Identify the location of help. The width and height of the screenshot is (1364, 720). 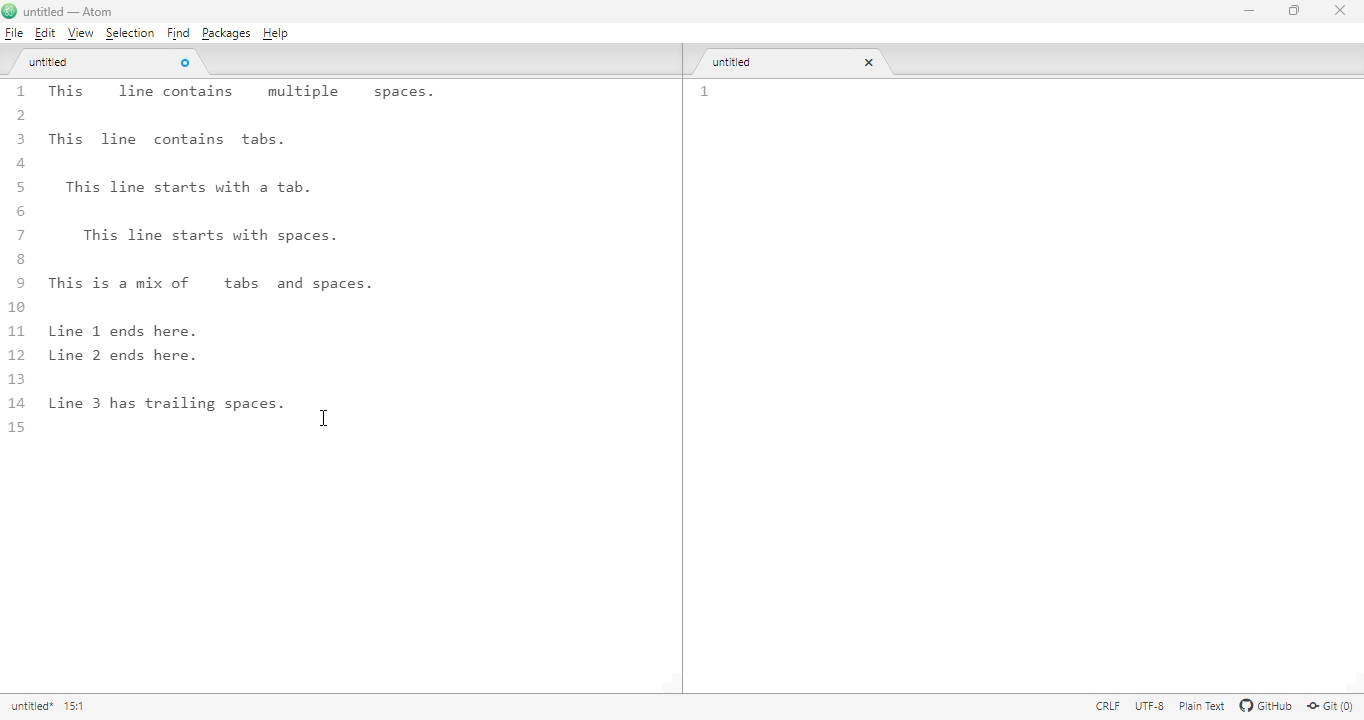
(277, 33).